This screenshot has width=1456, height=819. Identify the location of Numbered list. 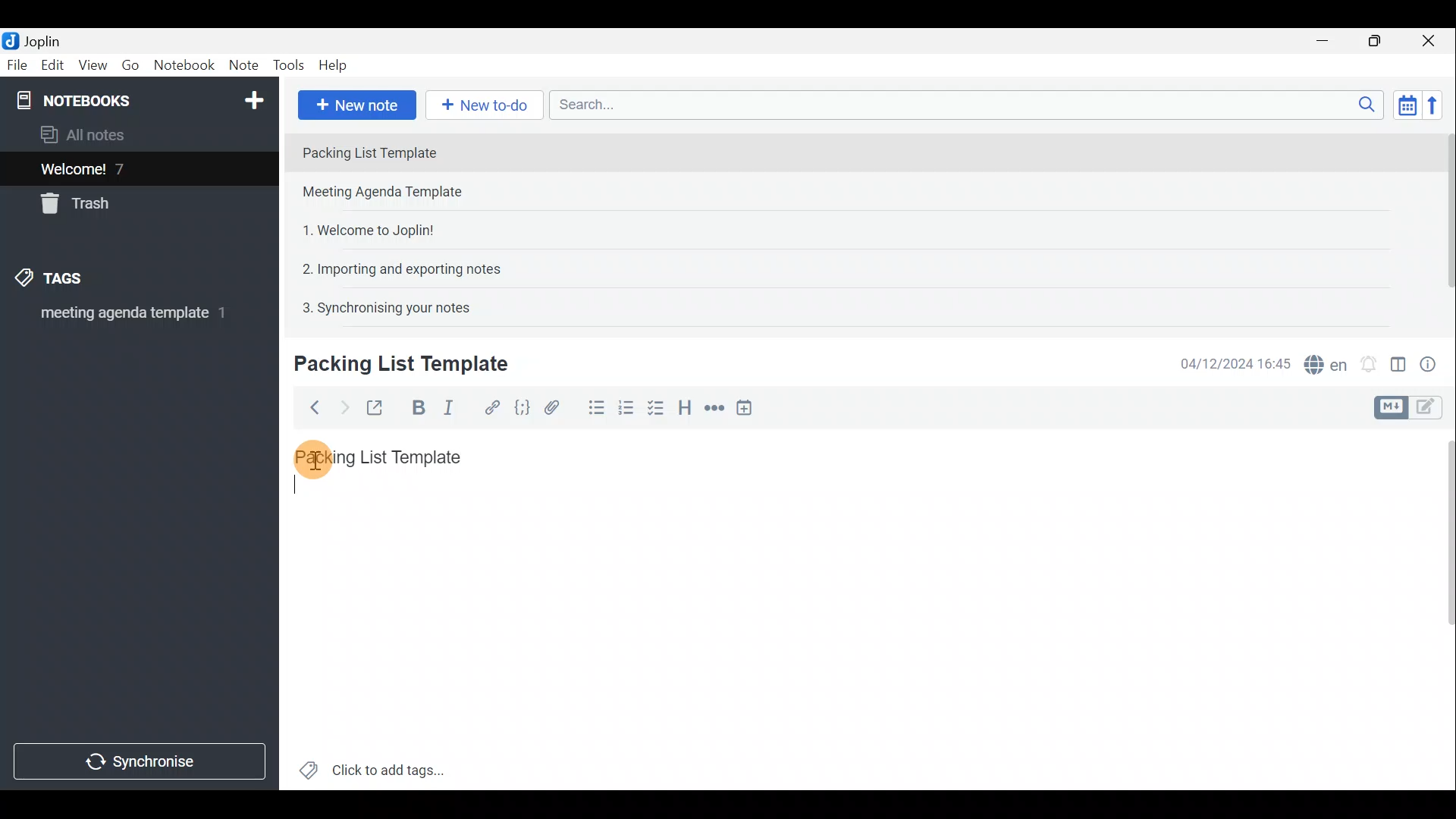
(630, 412).